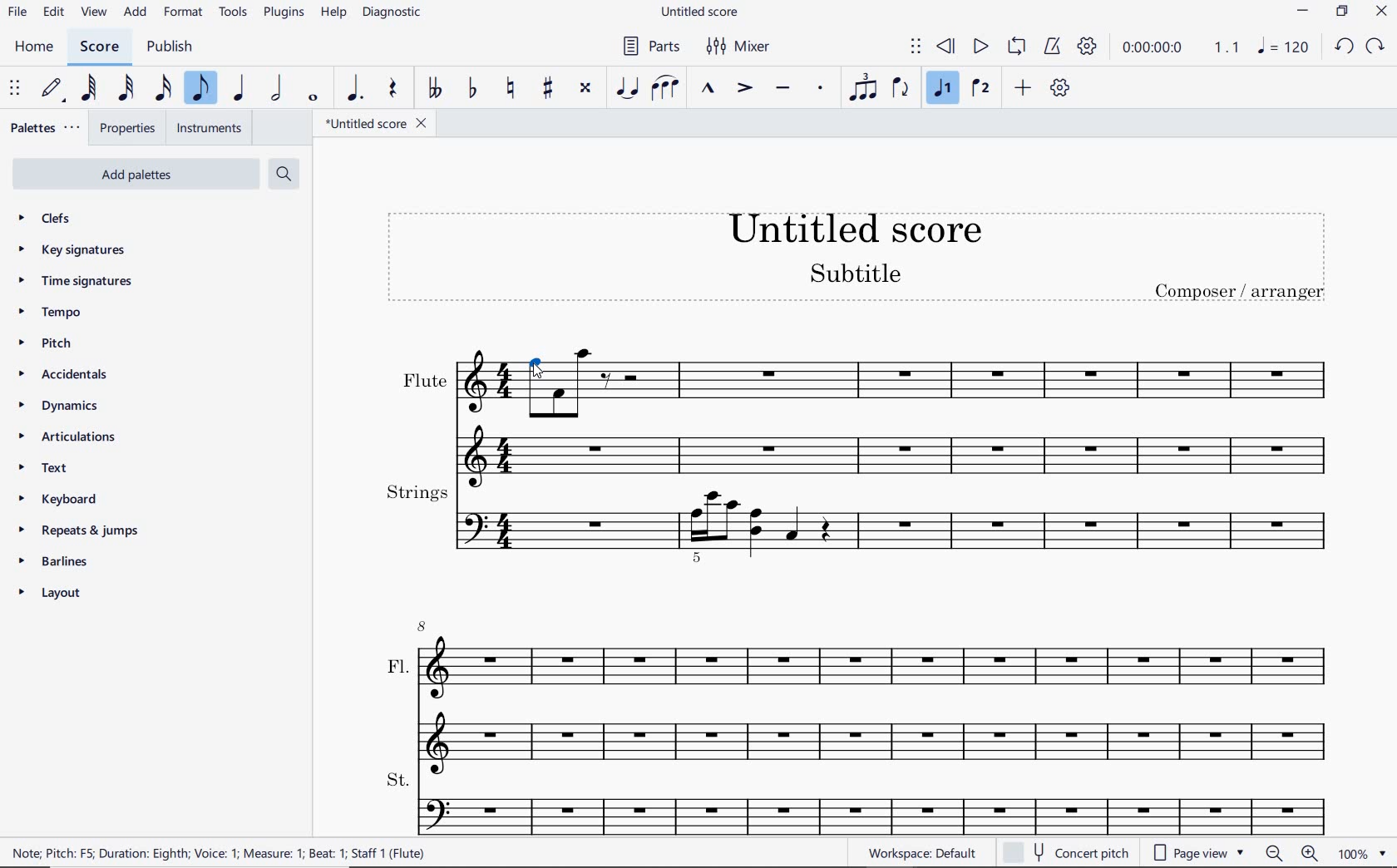 The width and height of the screenshot is (1397, 868). I want to click on HELP, so click(333, 14).